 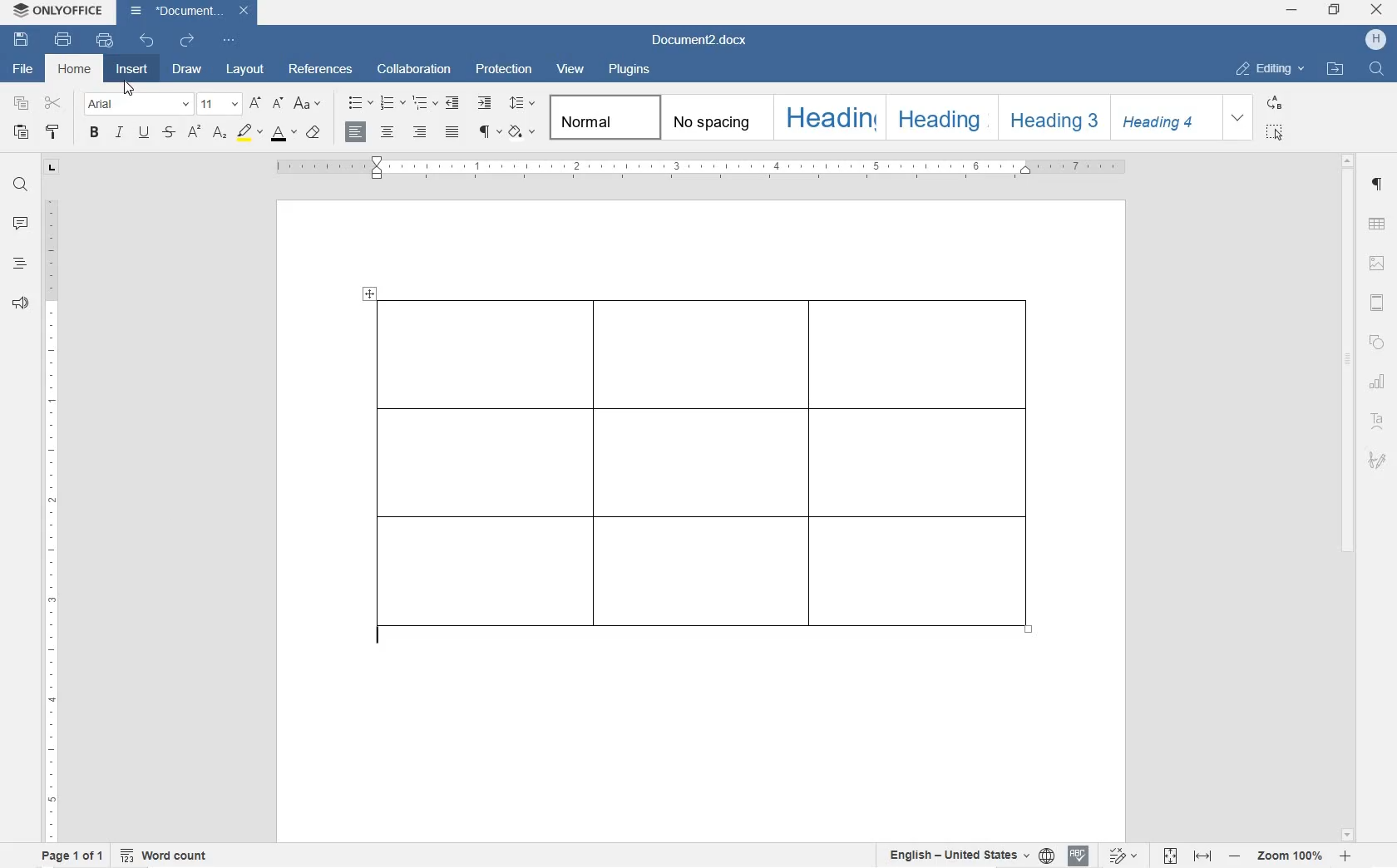 I want to click on SELECT ALL, so click(x=1273, y=134).